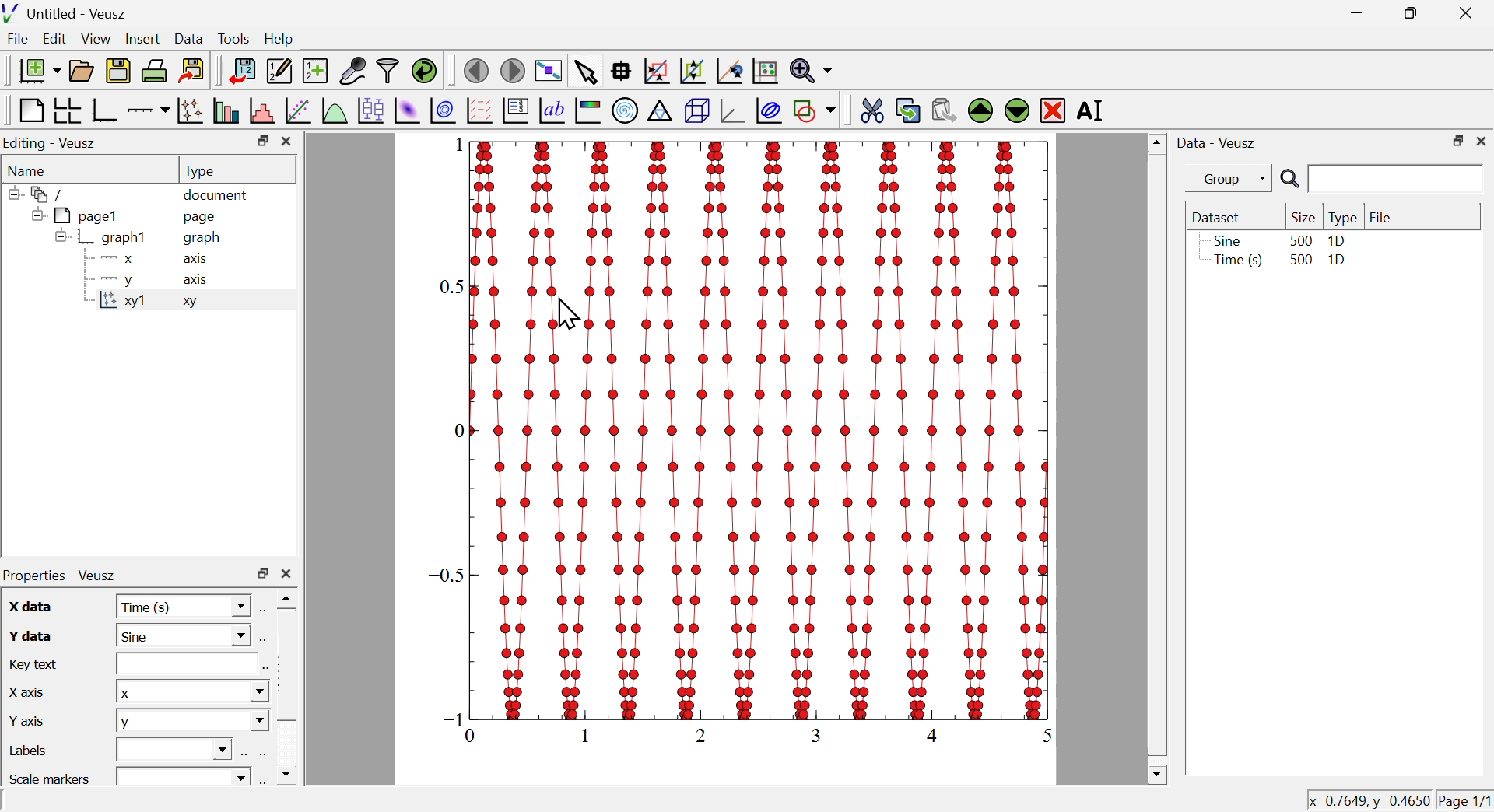 This screenshot has width=1494, height=812. What do you see at coordinates (1221, 179) in the screenshot?
I see `group` at bounding box center [1221, 179].